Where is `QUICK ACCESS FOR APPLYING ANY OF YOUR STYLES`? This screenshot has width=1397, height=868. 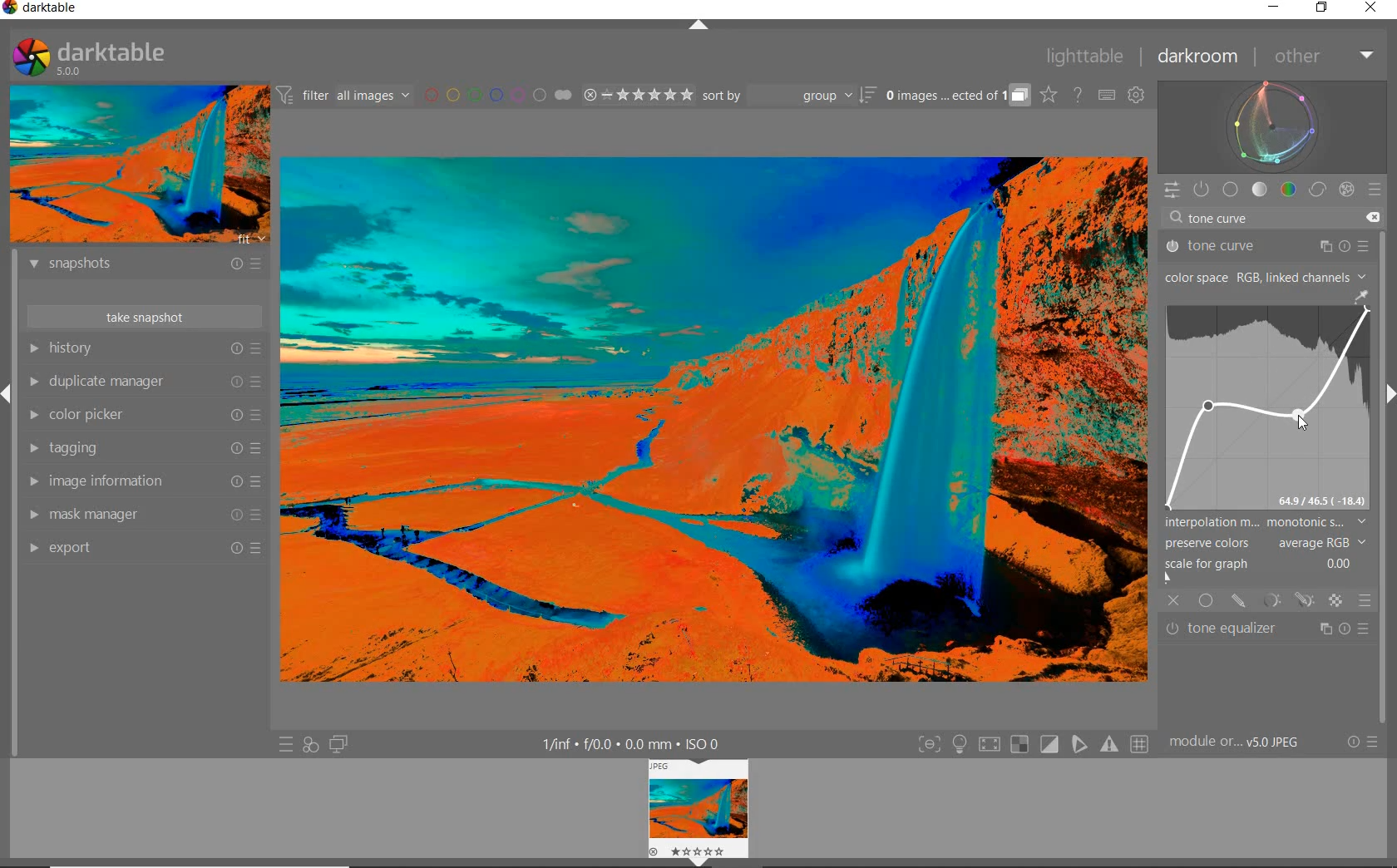
QUICK ACCESS FOR APPLYING ANY OF YOUR STYLES is located at coordinates (309, 746).